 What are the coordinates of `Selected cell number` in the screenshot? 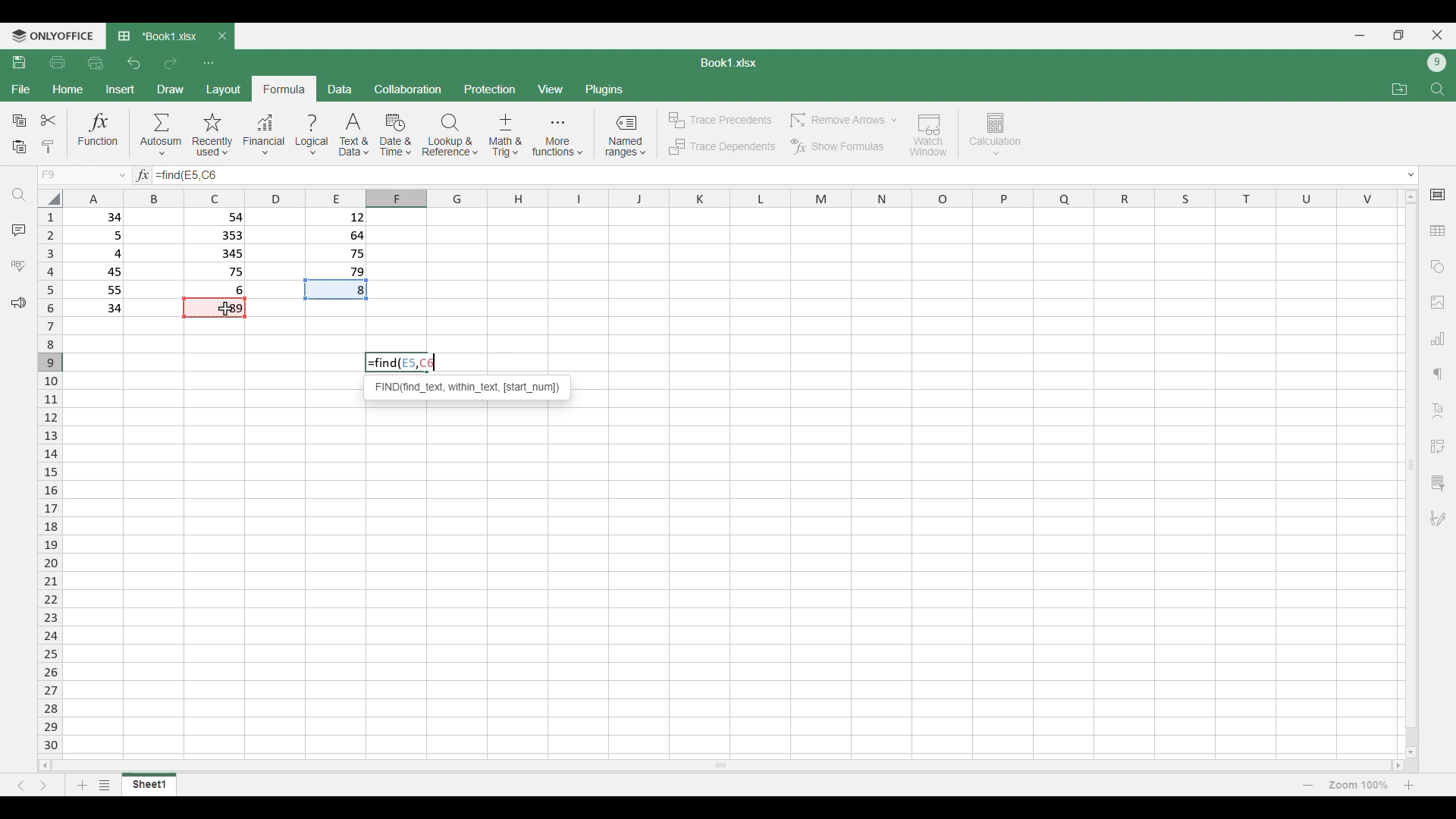 It's located at (418, 362).